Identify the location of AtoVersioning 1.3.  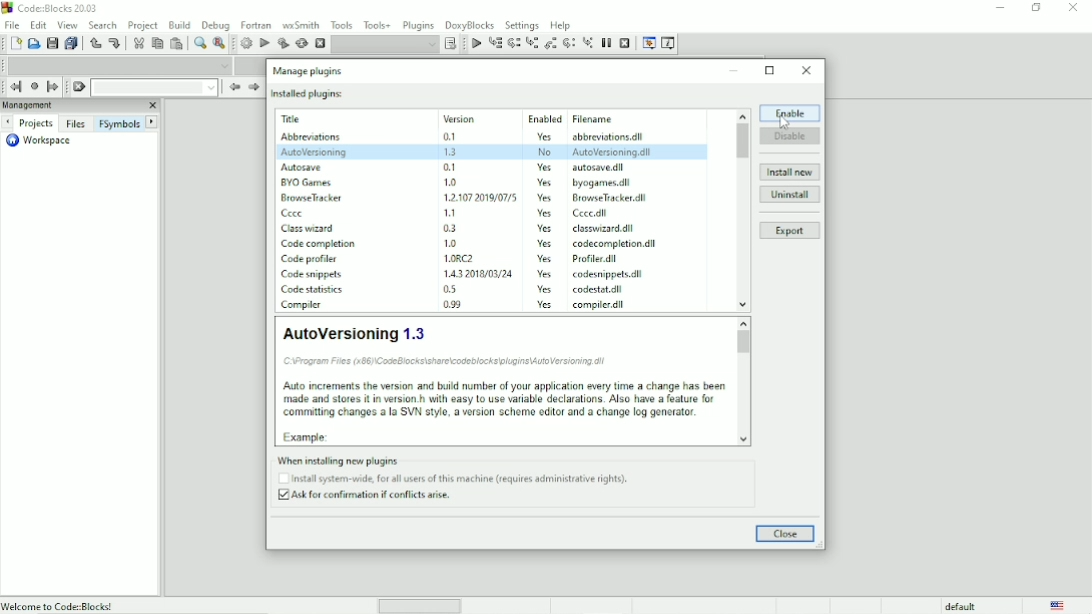
(502, 381).